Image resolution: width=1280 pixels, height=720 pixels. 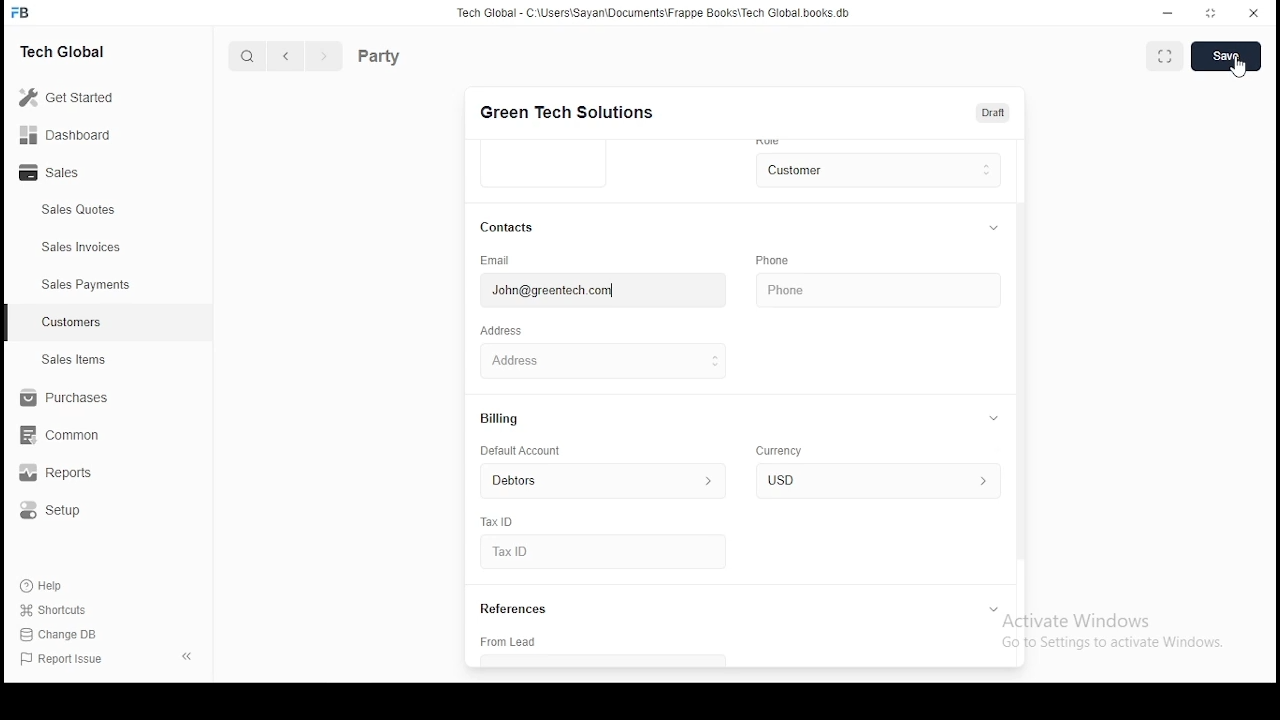 What do you see at coordinates (499, 523) in the screenshot?
I see `tax ID` at bounding box center [499, 523].